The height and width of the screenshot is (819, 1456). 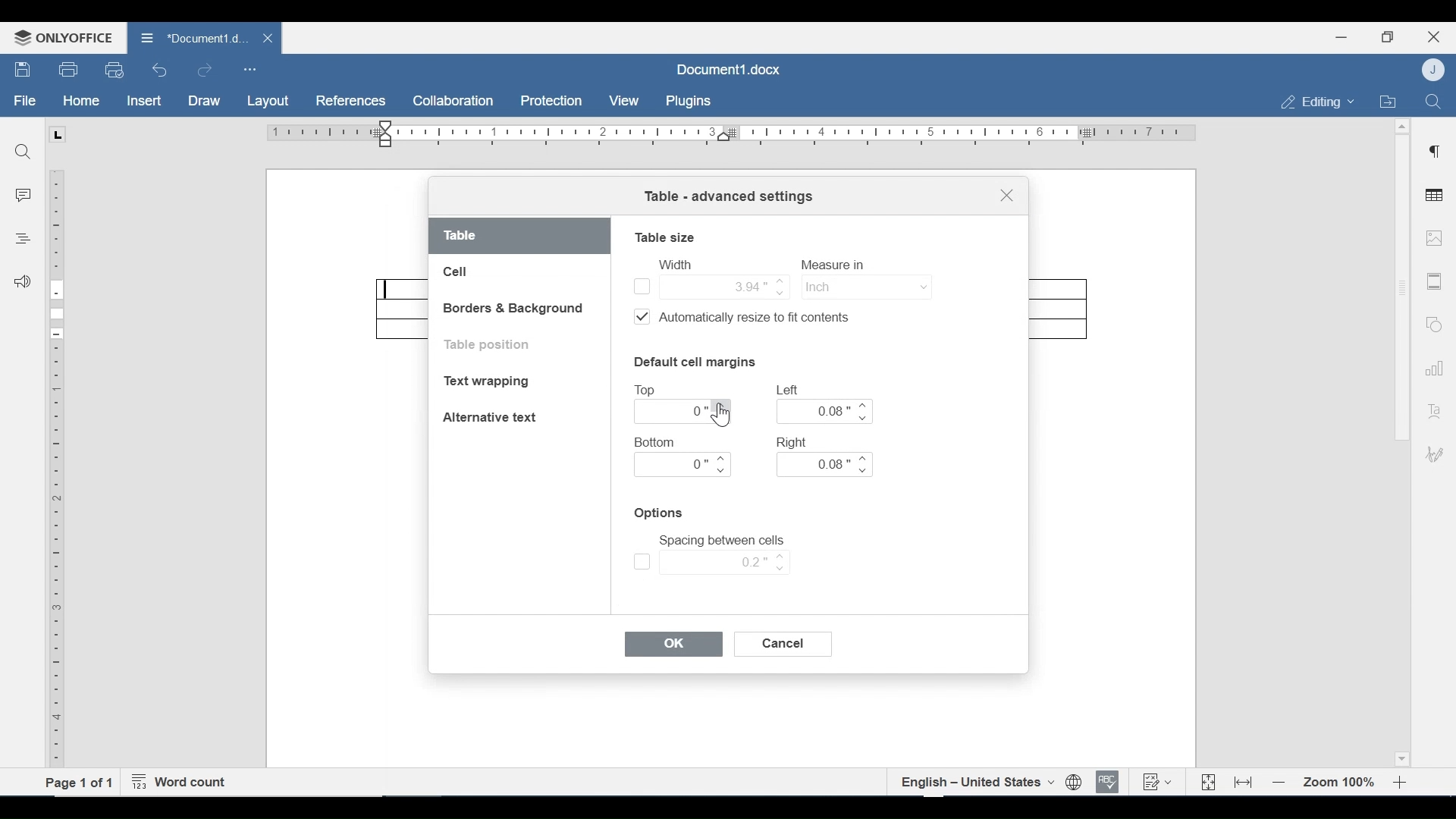 I want to click on Track Changes, so click(x=1156, y=781).